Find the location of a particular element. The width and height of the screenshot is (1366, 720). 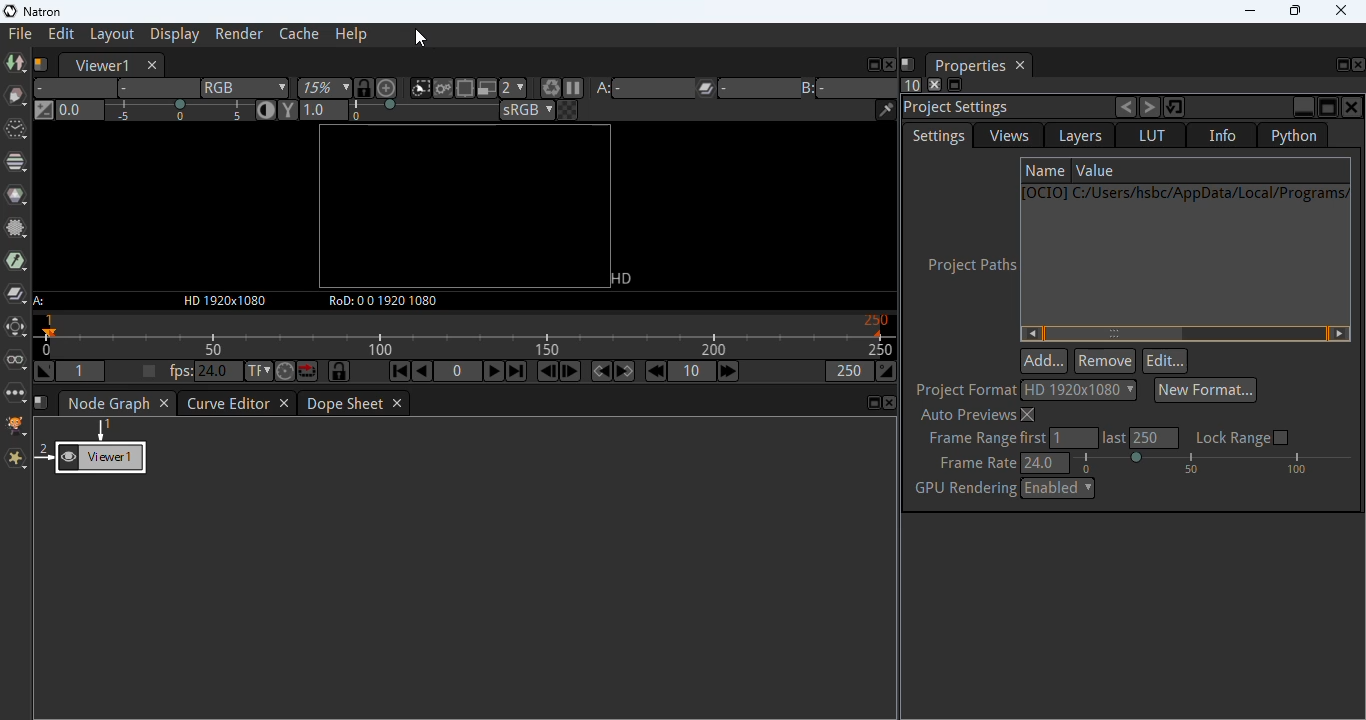

image is located at coordinates (15, 65).